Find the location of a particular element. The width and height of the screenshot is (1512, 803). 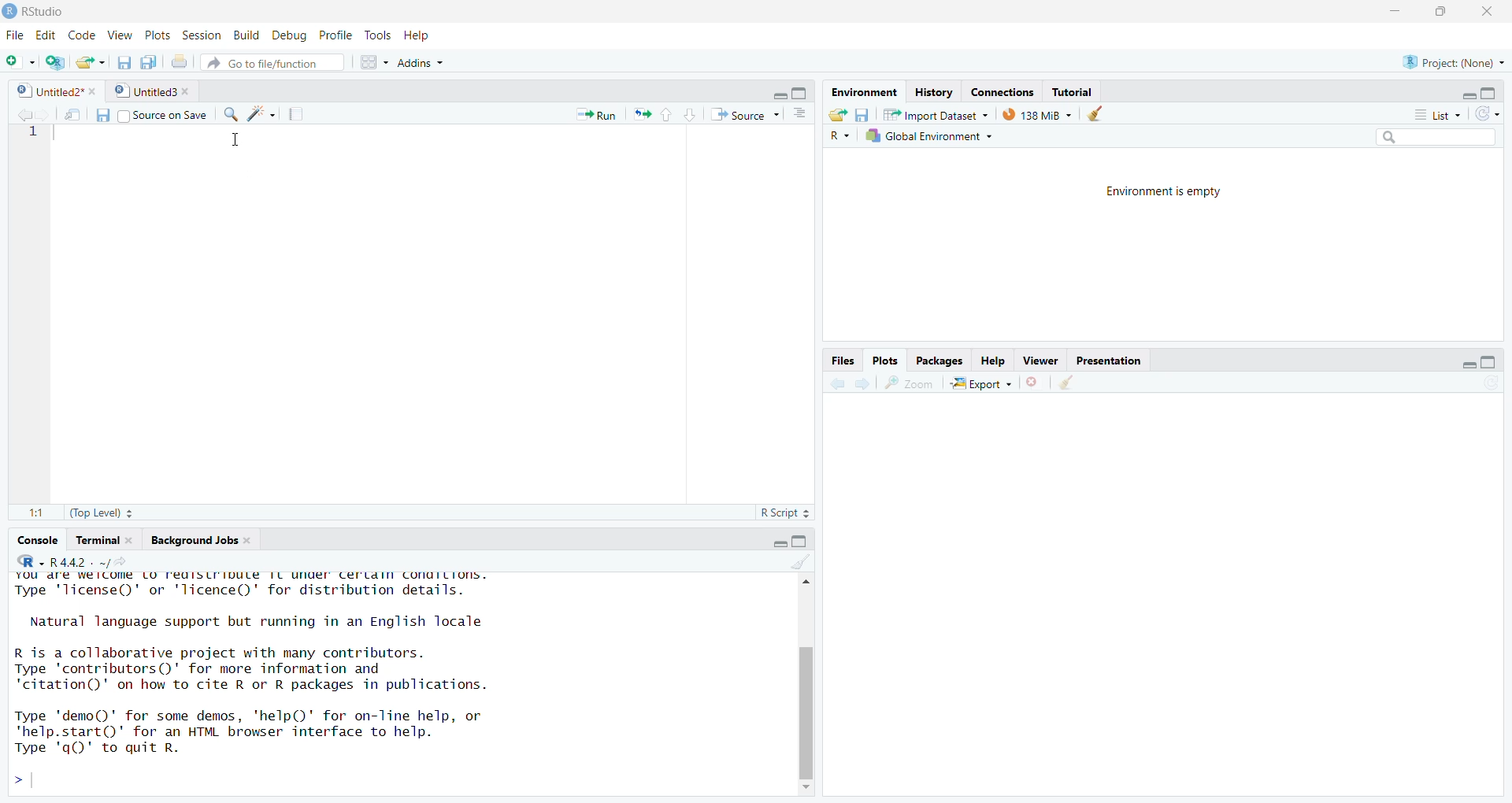

Compile report is located at coordinates (299, 114).